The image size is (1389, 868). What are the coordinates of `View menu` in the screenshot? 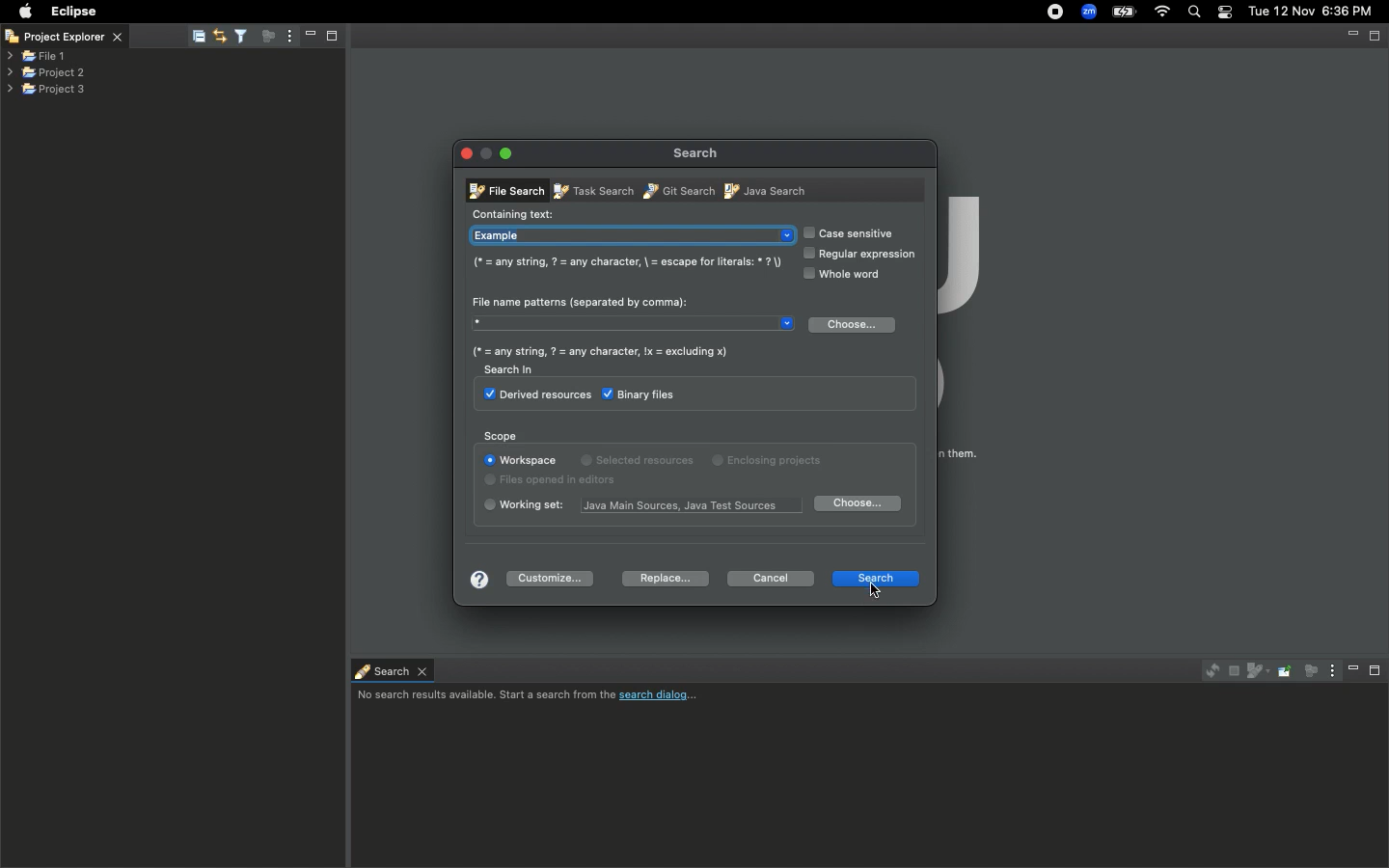 It's located at (288, 38).